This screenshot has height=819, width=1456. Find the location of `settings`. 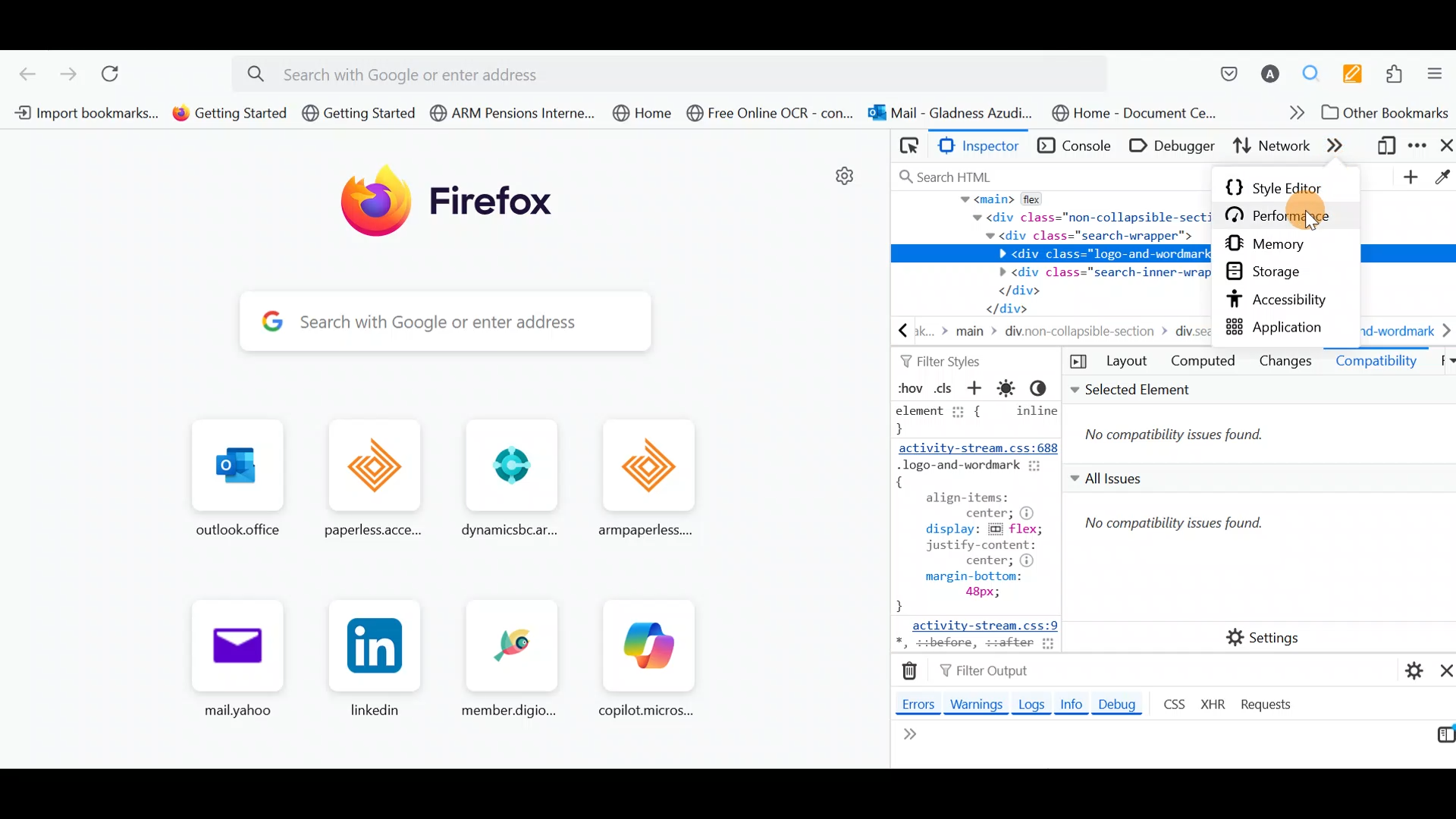

settings is located at coordinates (839, 180).